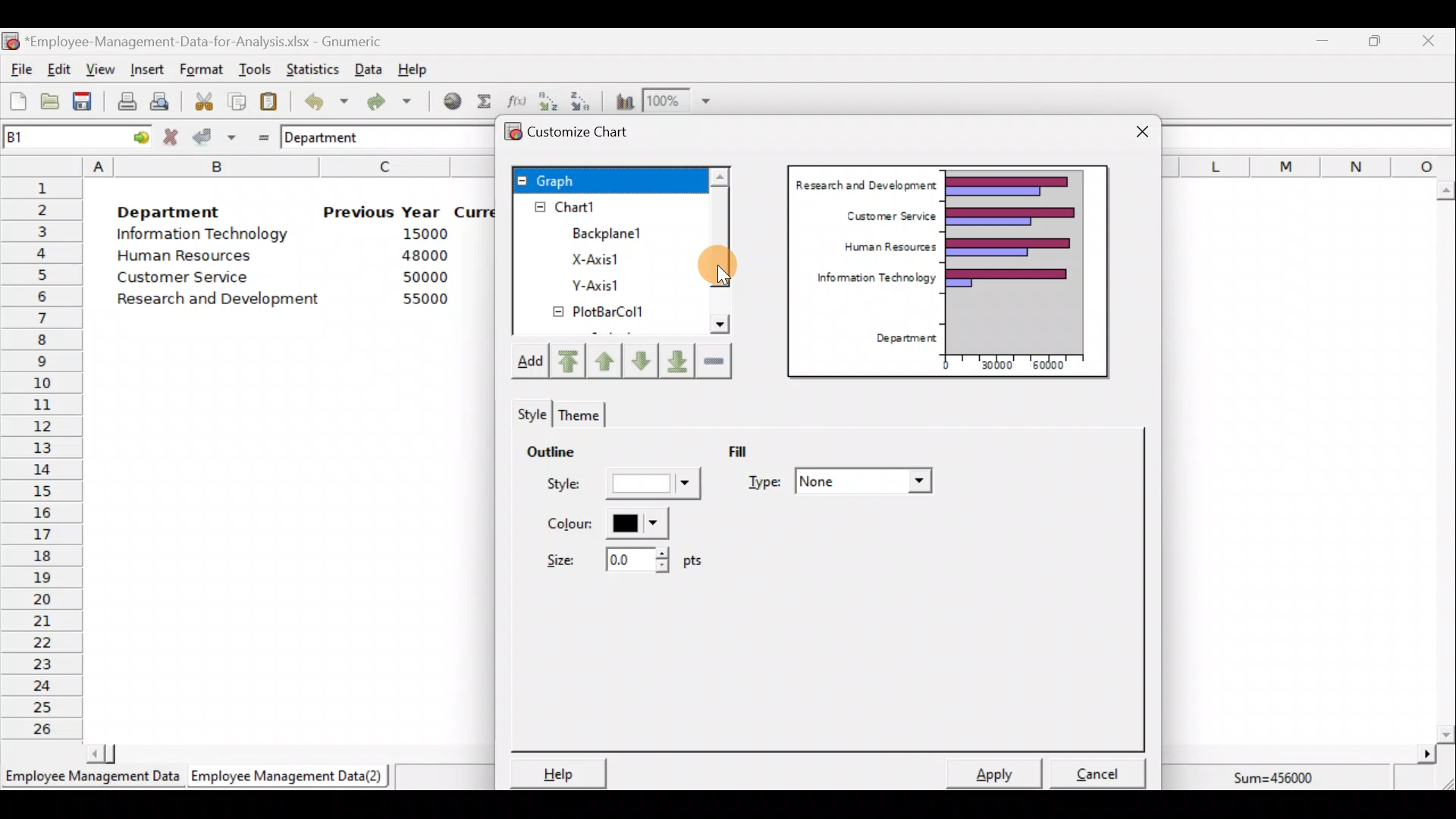 This screenshot has height=819, width=1456. I want to click on Graph, so click(622, 180).